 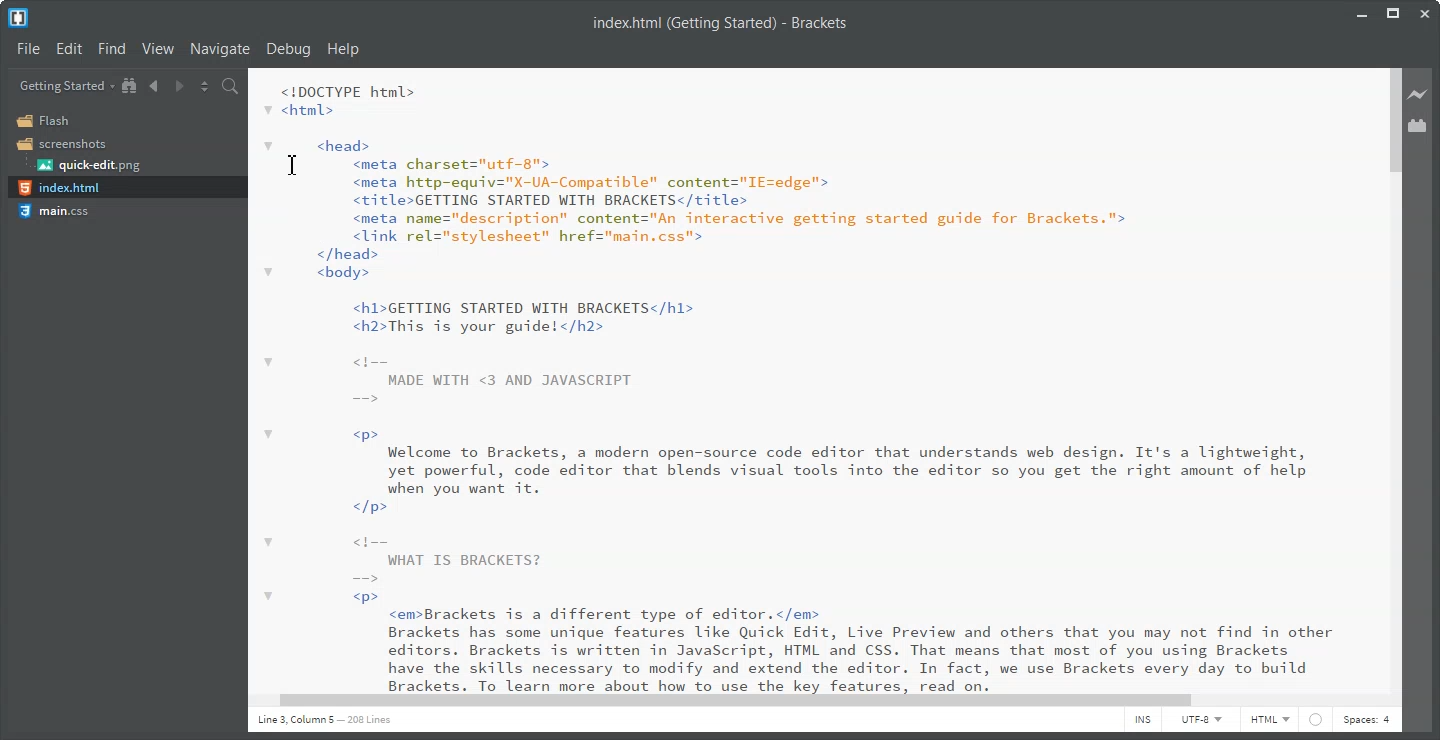 I want to click on main.css, so click(x=61, y=211).